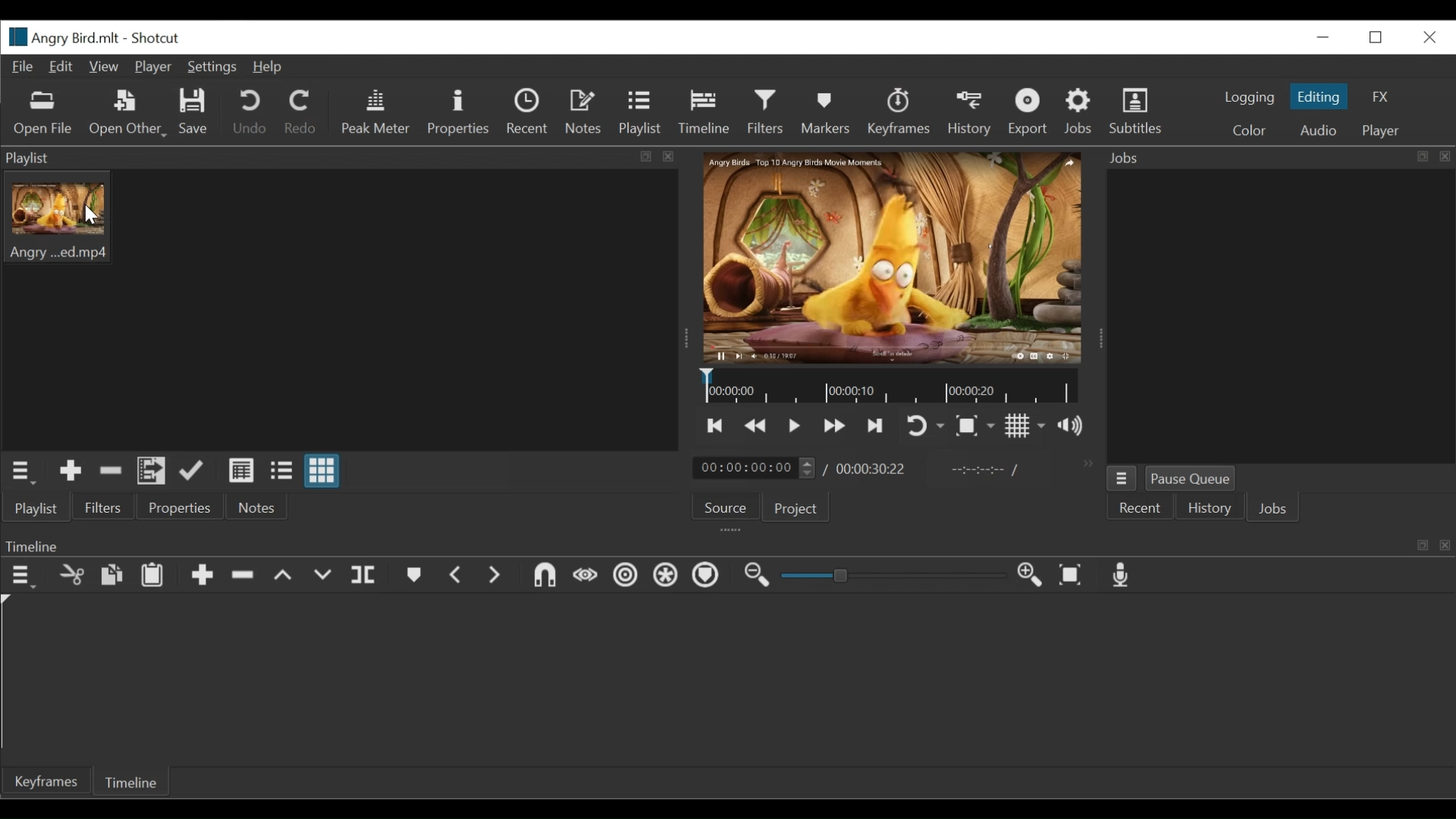  What do you see at coordinates (1027, 111) in the screenshot?
I see `Export` at bounding box center [1027, 111].